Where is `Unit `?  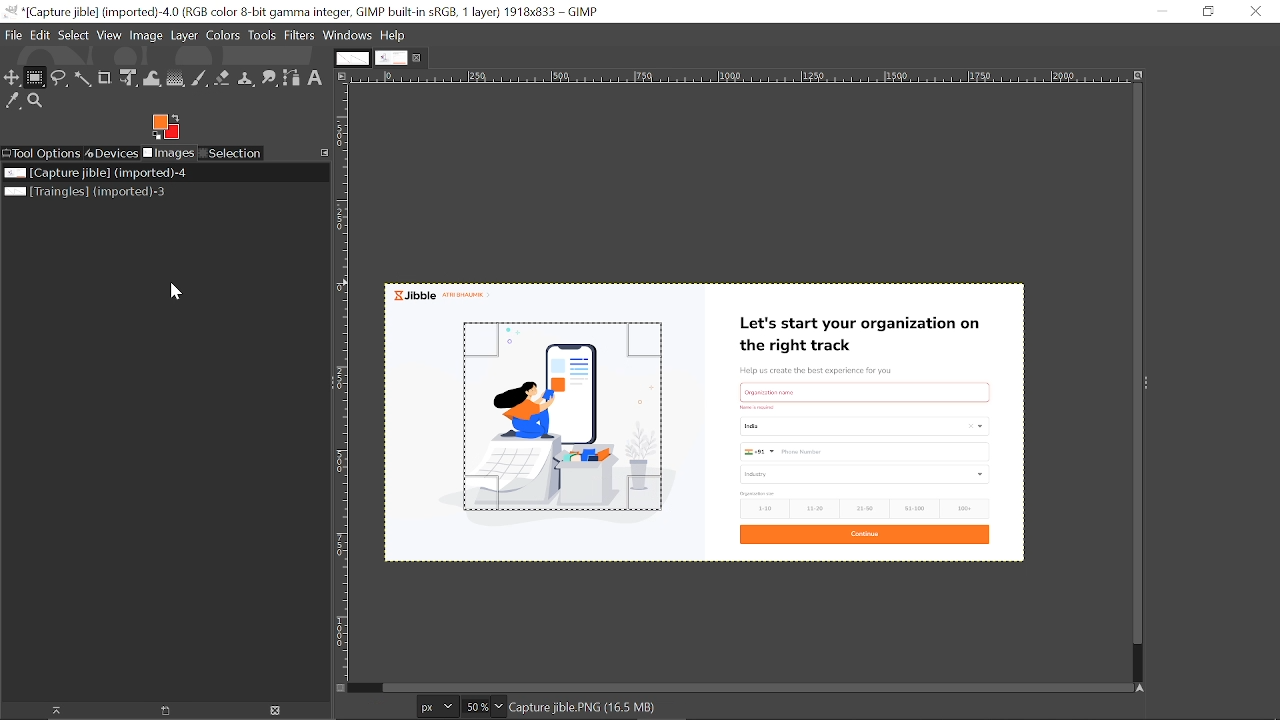
Unit  is located at coordinates (438, 706).